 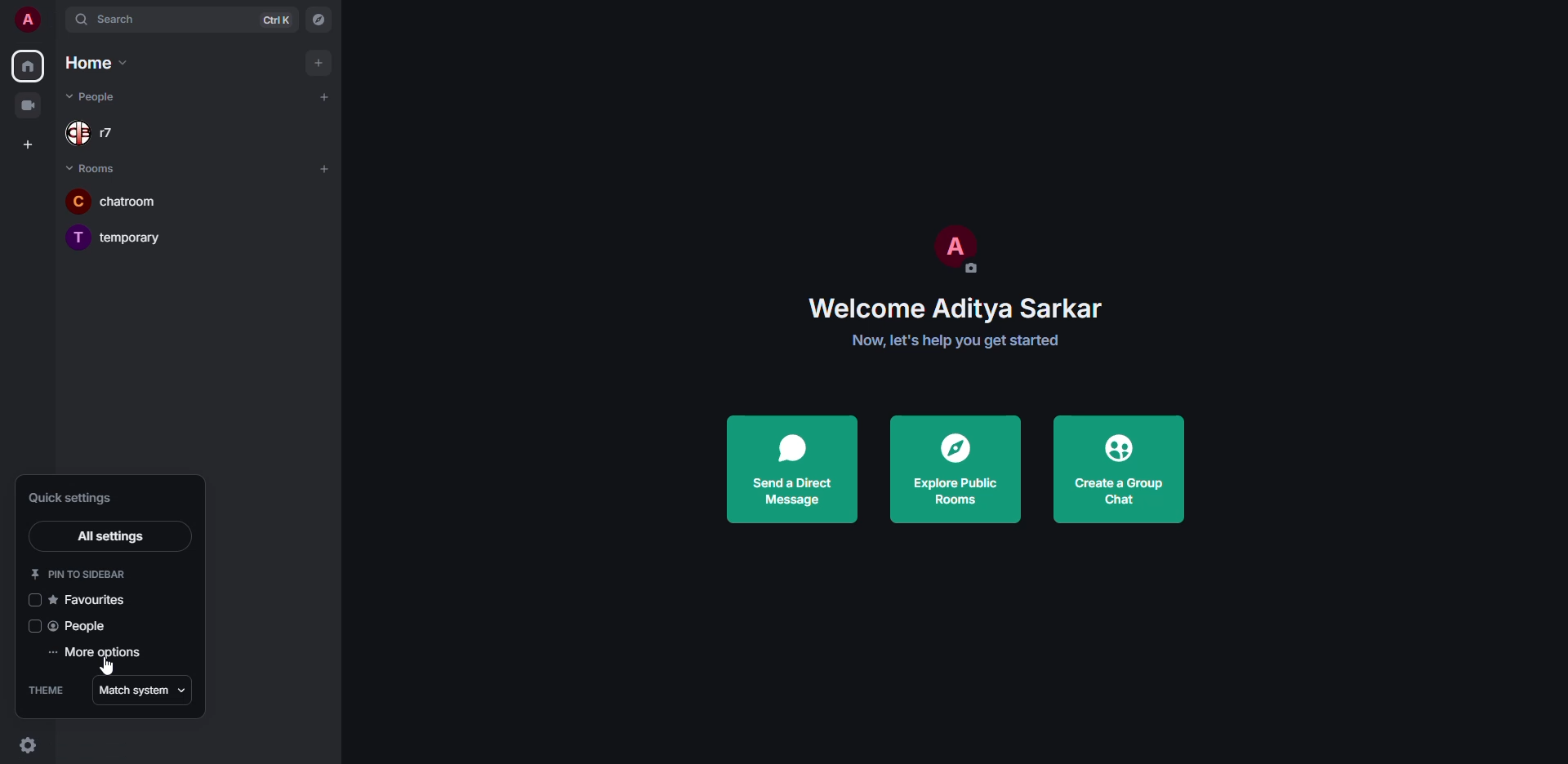 What do you see at coordinates (28, 19) in the screenshot?
I see `profile` at bounding box center [28, 19].